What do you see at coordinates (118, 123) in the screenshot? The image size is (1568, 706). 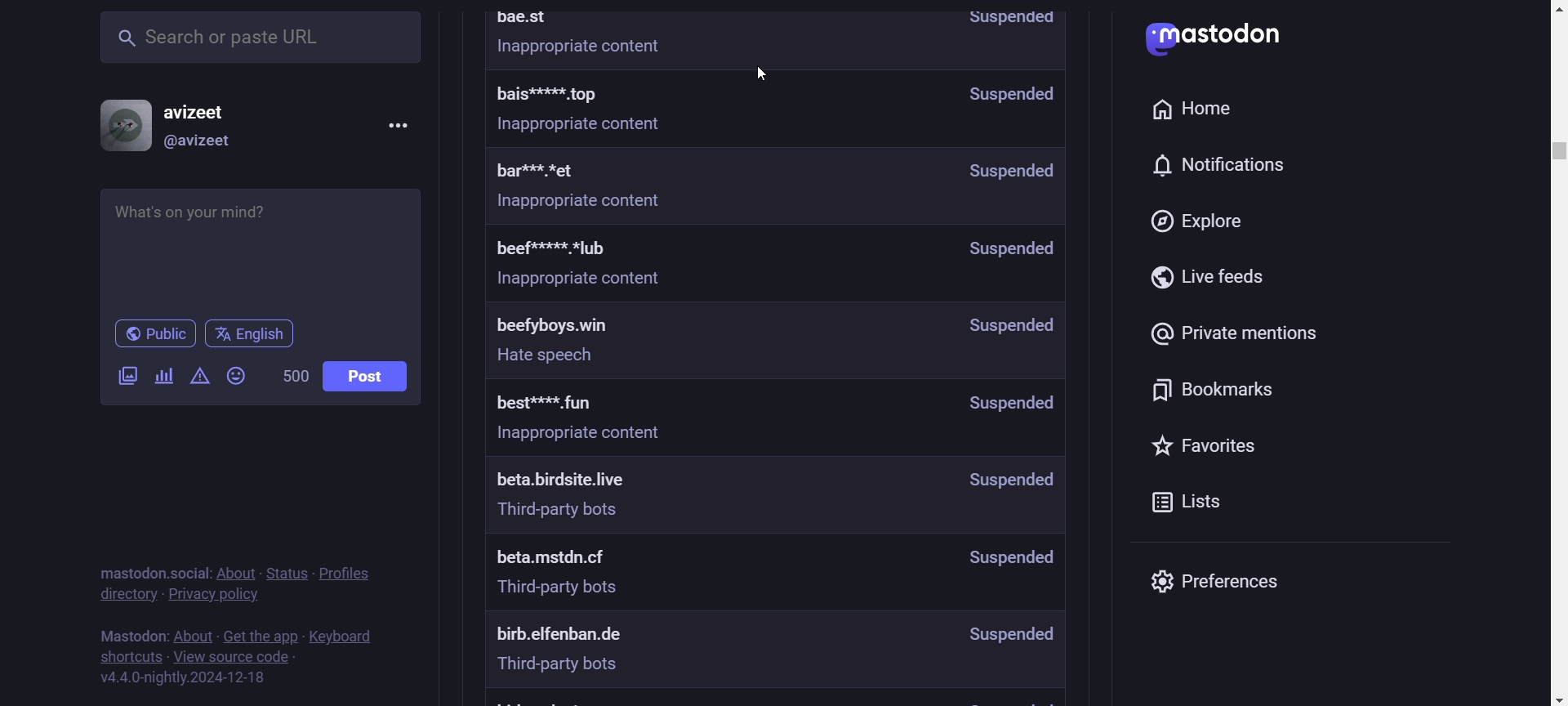 I see `display picture` at bounding box center [118, 123].